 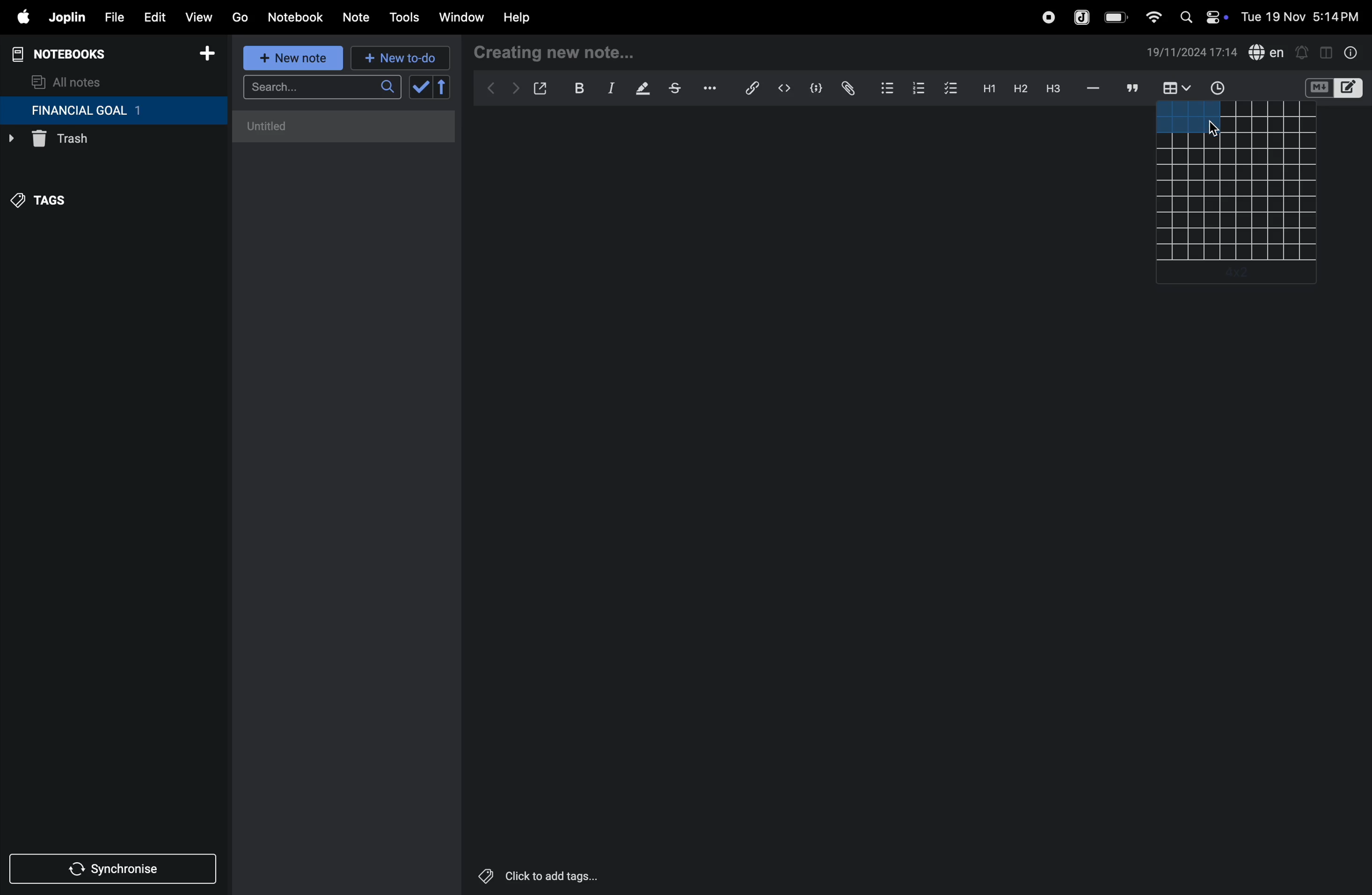 What do you see at coordinates (69, 54) in the screenshot?
I see `notebooks` at bounding box center [69, 54].